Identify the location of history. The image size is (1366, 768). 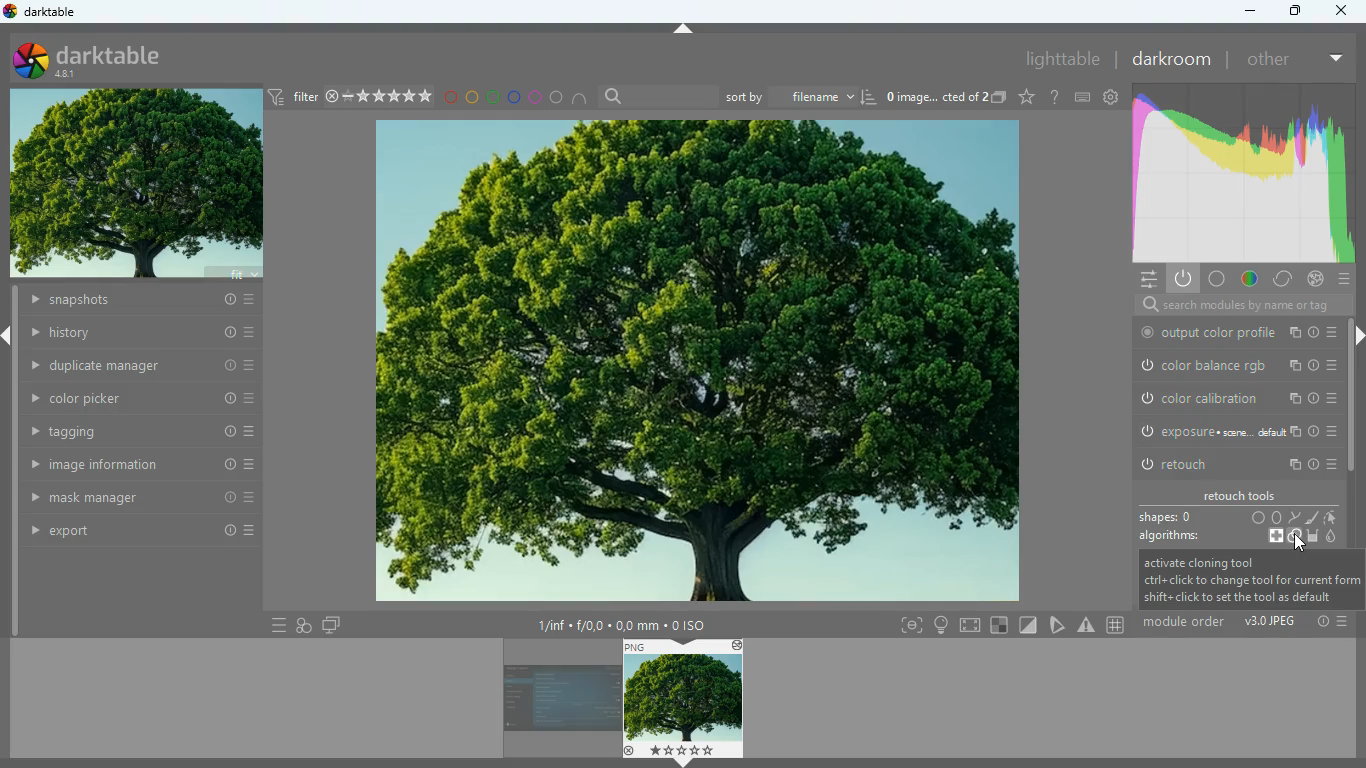
(145, 332).